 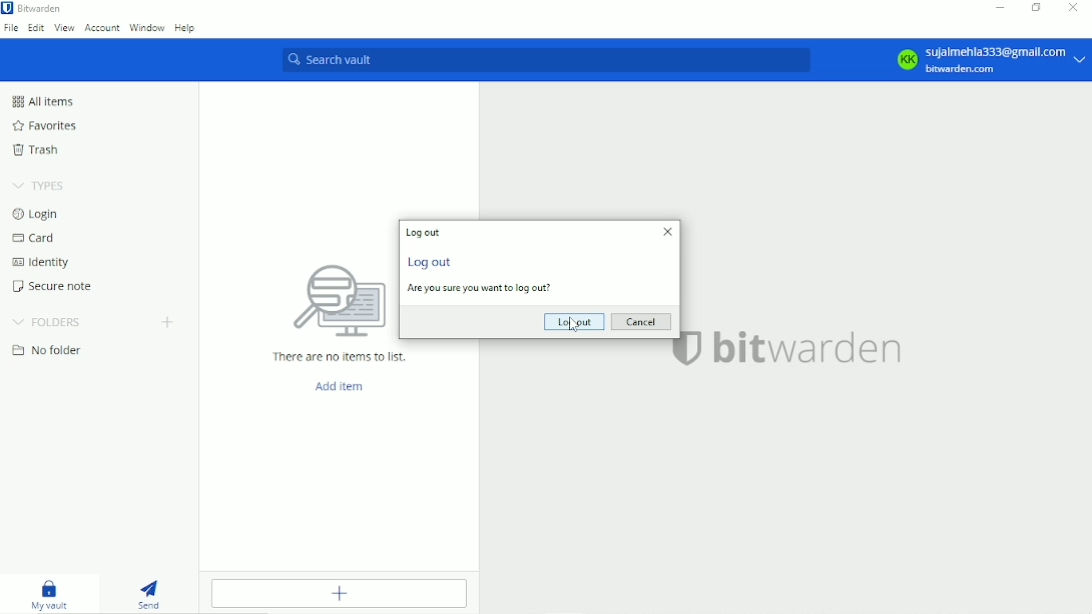 I want to click on File, so click(x=10, y=28).